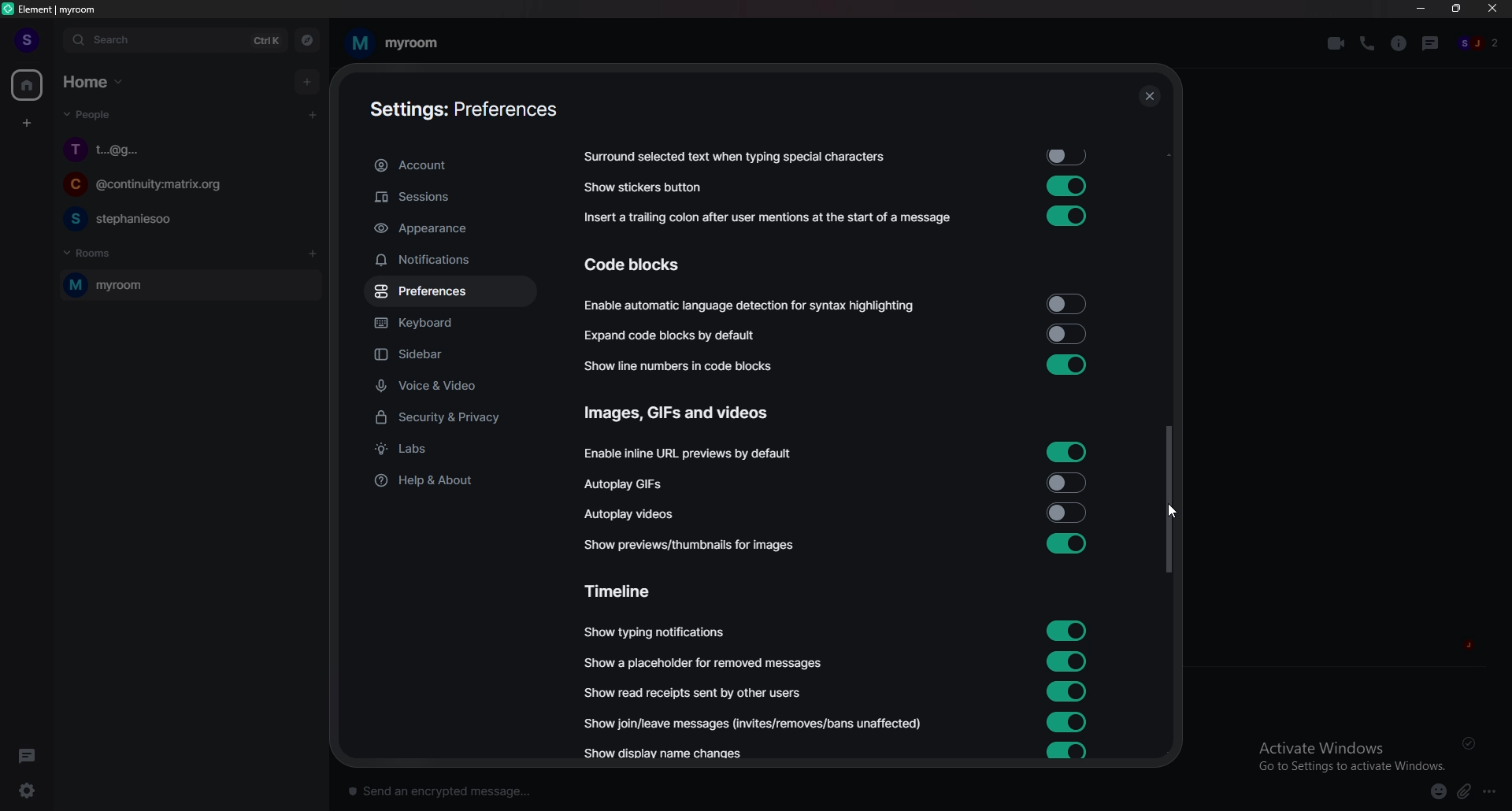 The image size is (1512, 811). What do you see at coordinates (447, 260) in the screenshot?
I see `notifications` at bounding box center [447, 260].